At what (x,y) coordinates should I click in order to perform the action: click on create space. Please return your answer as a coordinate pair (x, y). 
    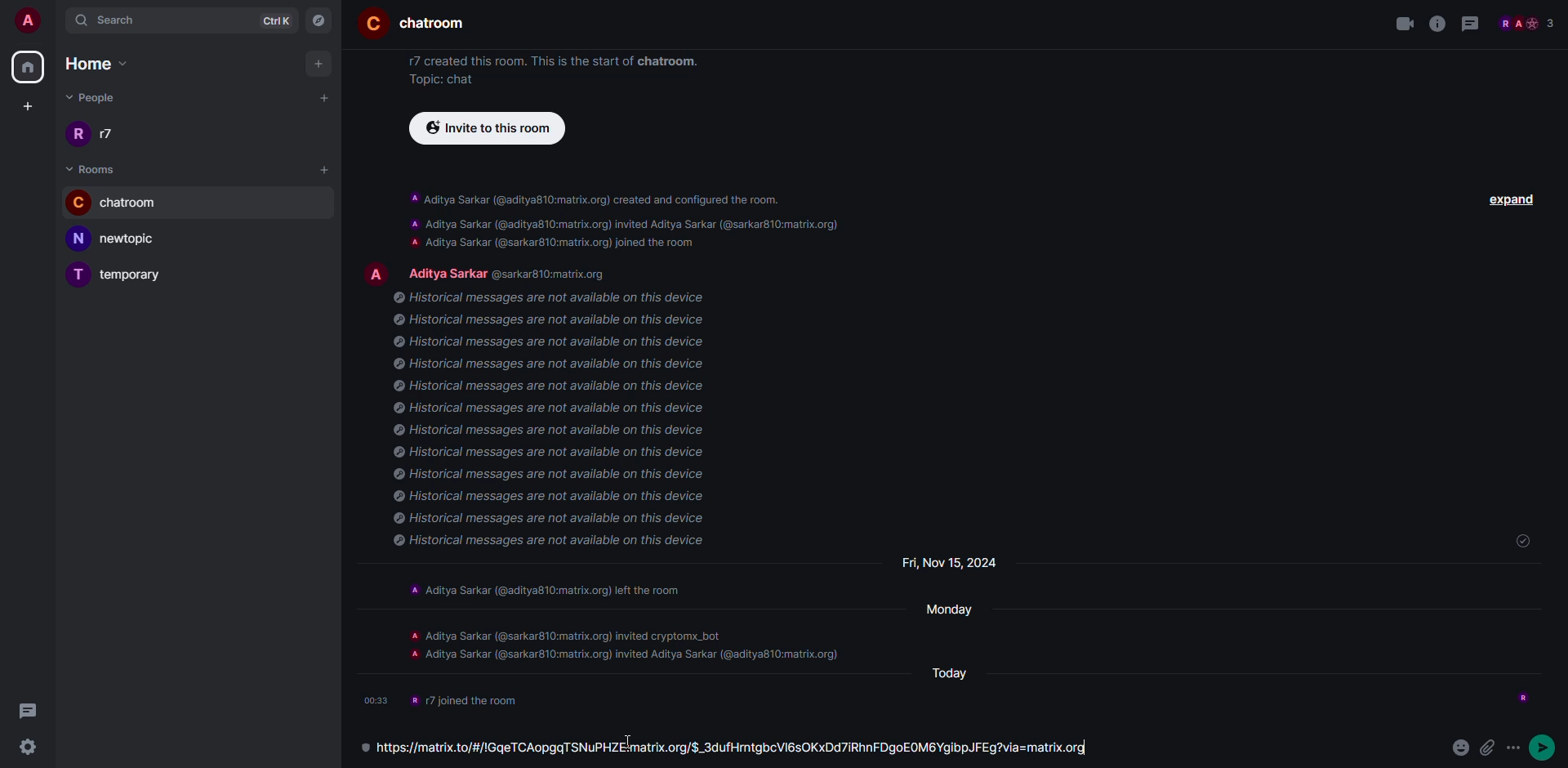
    Looking at the image, I should click on (25, 105).